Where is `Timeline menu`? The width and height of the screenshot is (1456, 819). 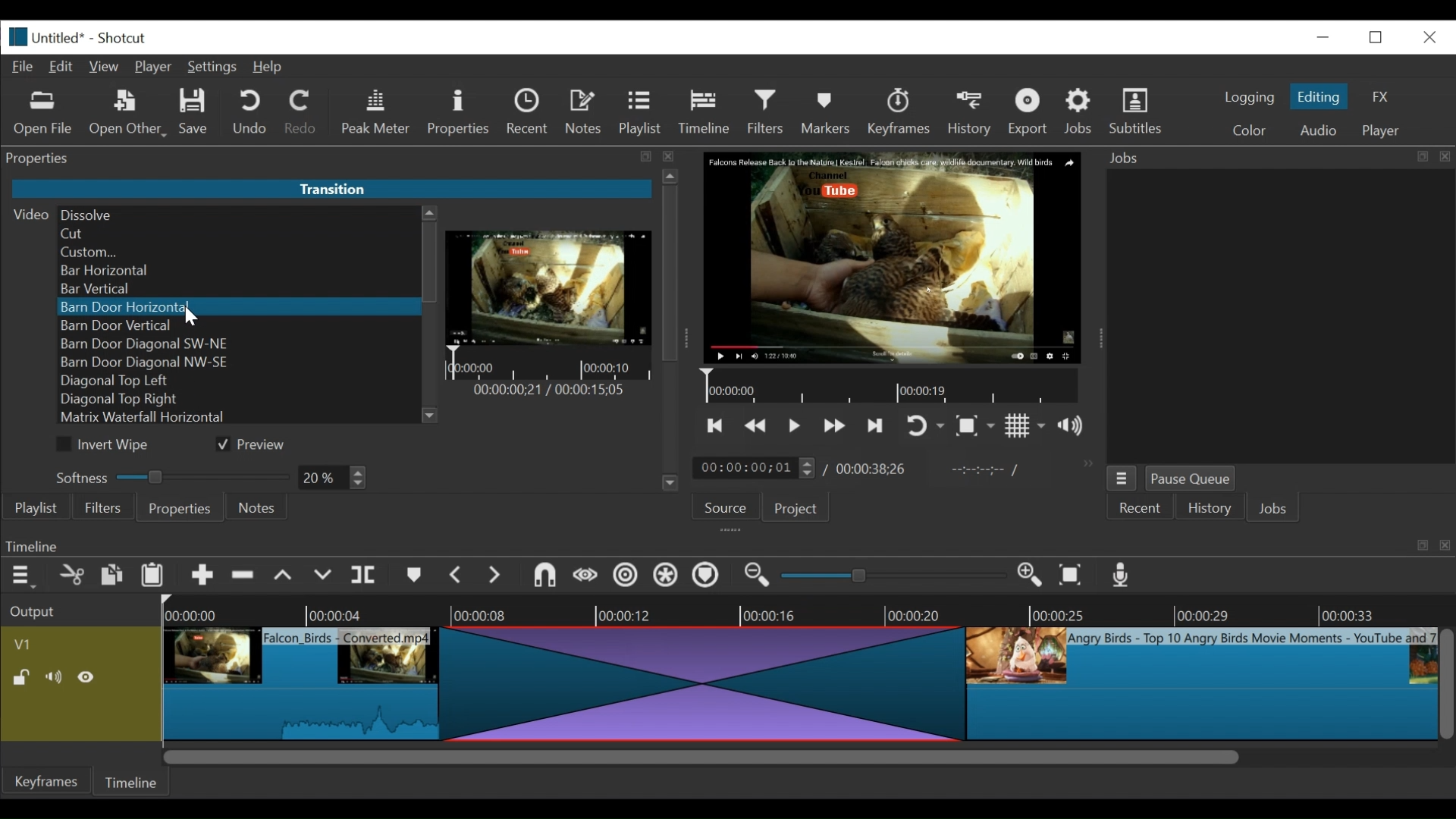 Timeline menu is located at coordinates (25, 576).